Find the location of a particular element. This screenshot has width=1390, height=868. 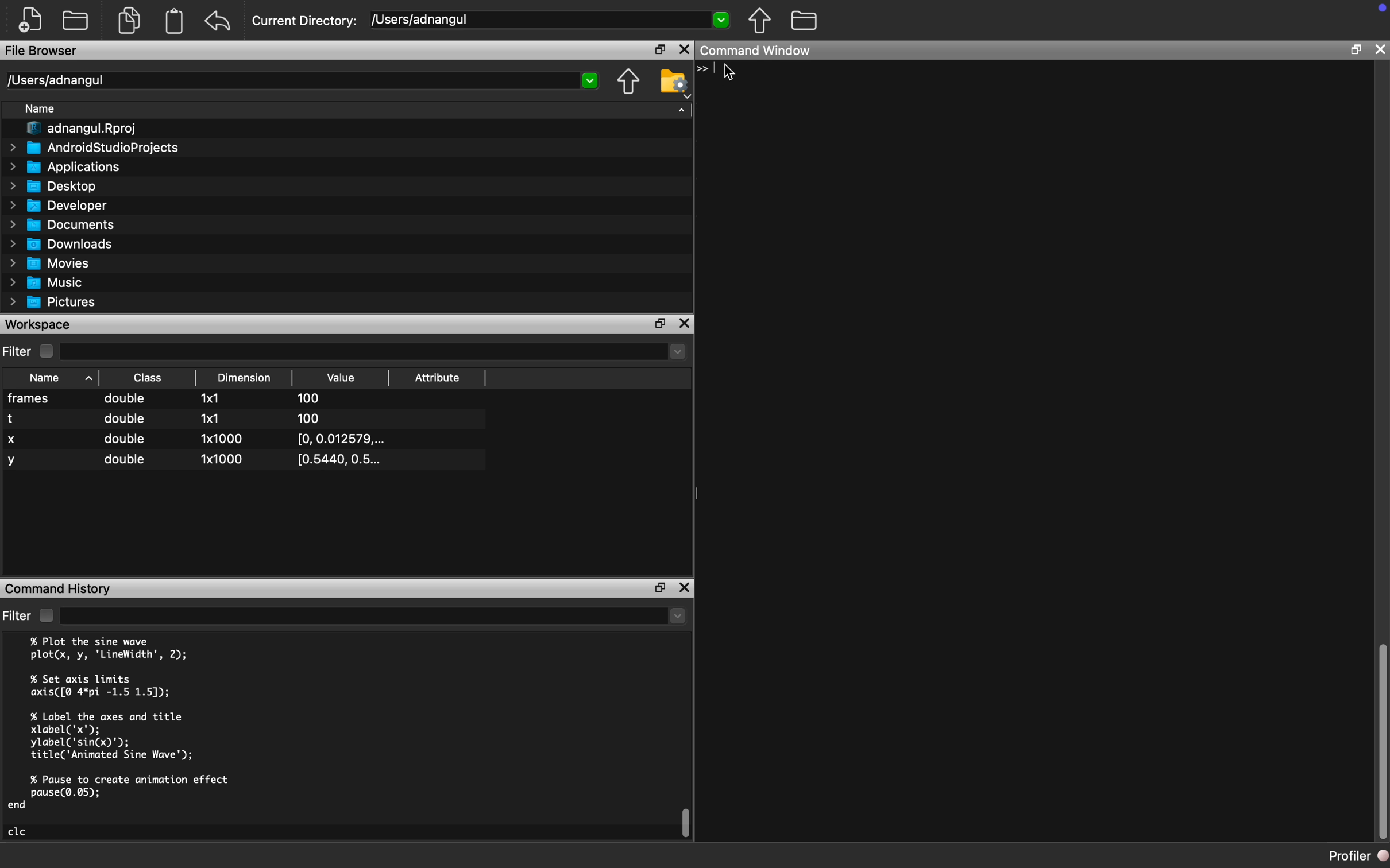

Restore Down is located at coordinates (661, 589).